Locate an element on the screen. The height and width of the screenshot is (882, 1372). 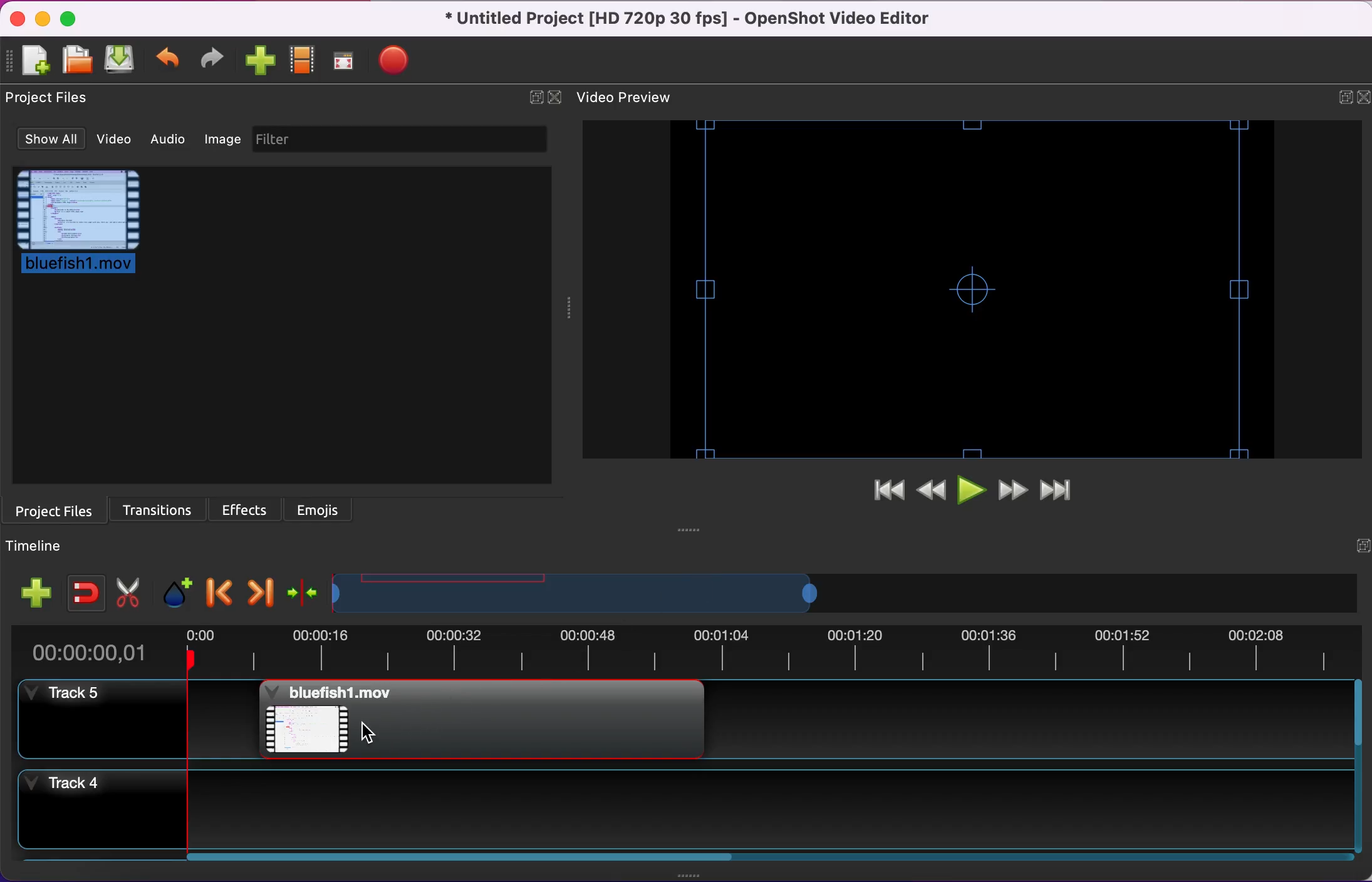
Bluefish project file added to timeline is located at coordinates (481, 719).